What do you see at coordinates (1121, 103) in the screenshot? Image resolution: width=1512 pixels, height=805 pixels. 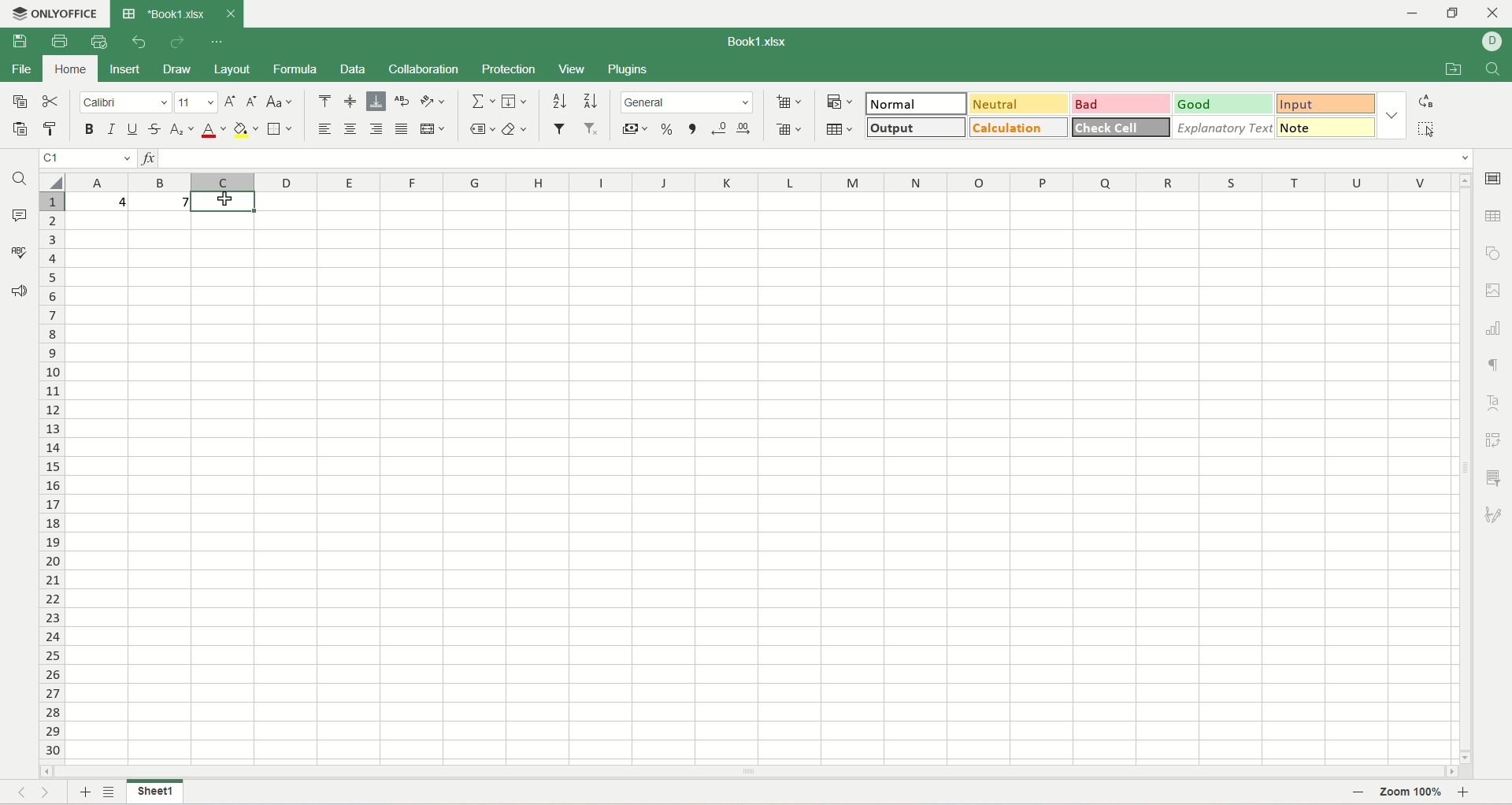 I see `bad` at bounding box center [1121, 103].